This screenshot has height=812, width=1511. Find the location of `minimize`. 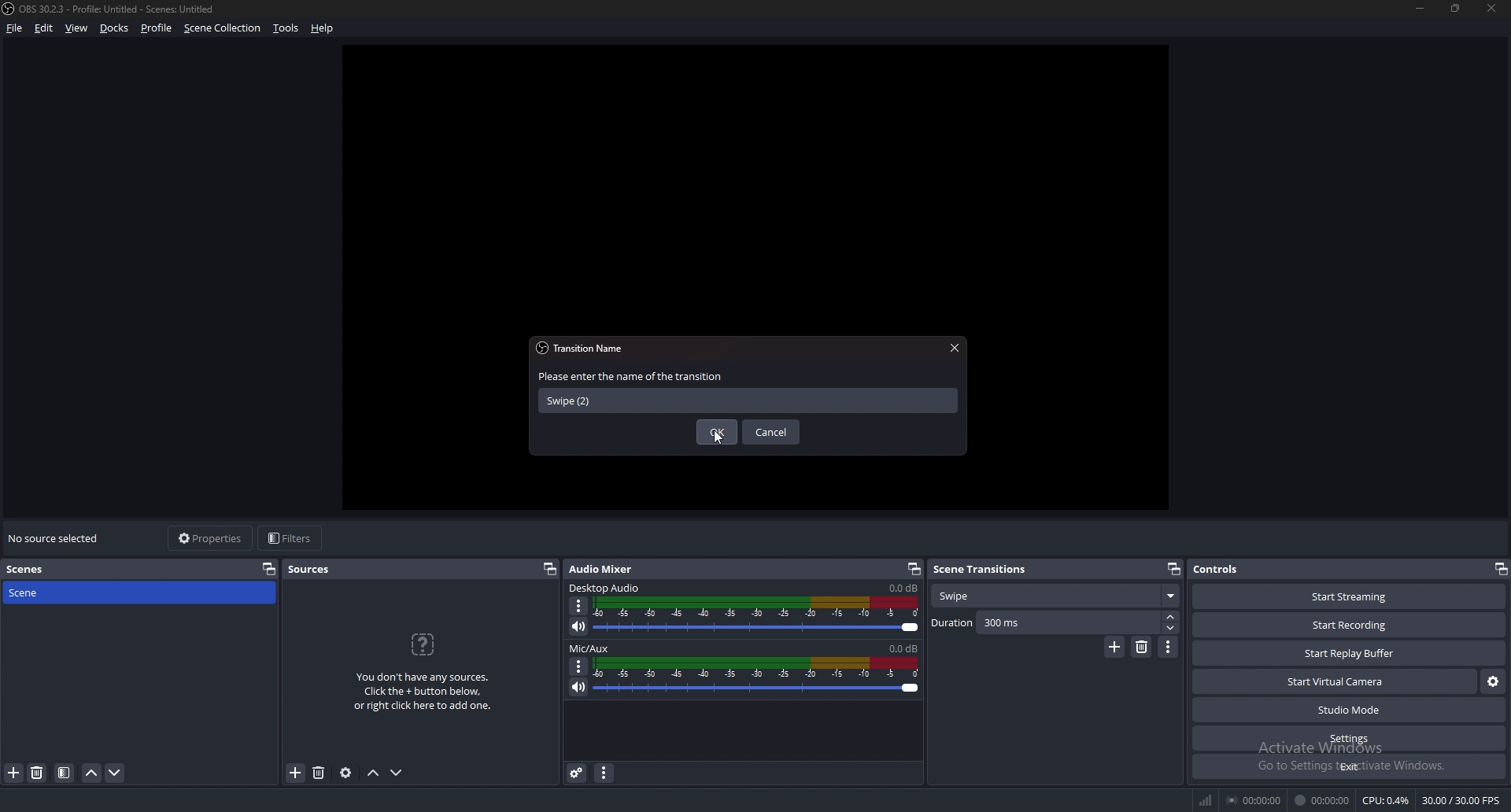

minimize is located at coordinates (1420, 9).